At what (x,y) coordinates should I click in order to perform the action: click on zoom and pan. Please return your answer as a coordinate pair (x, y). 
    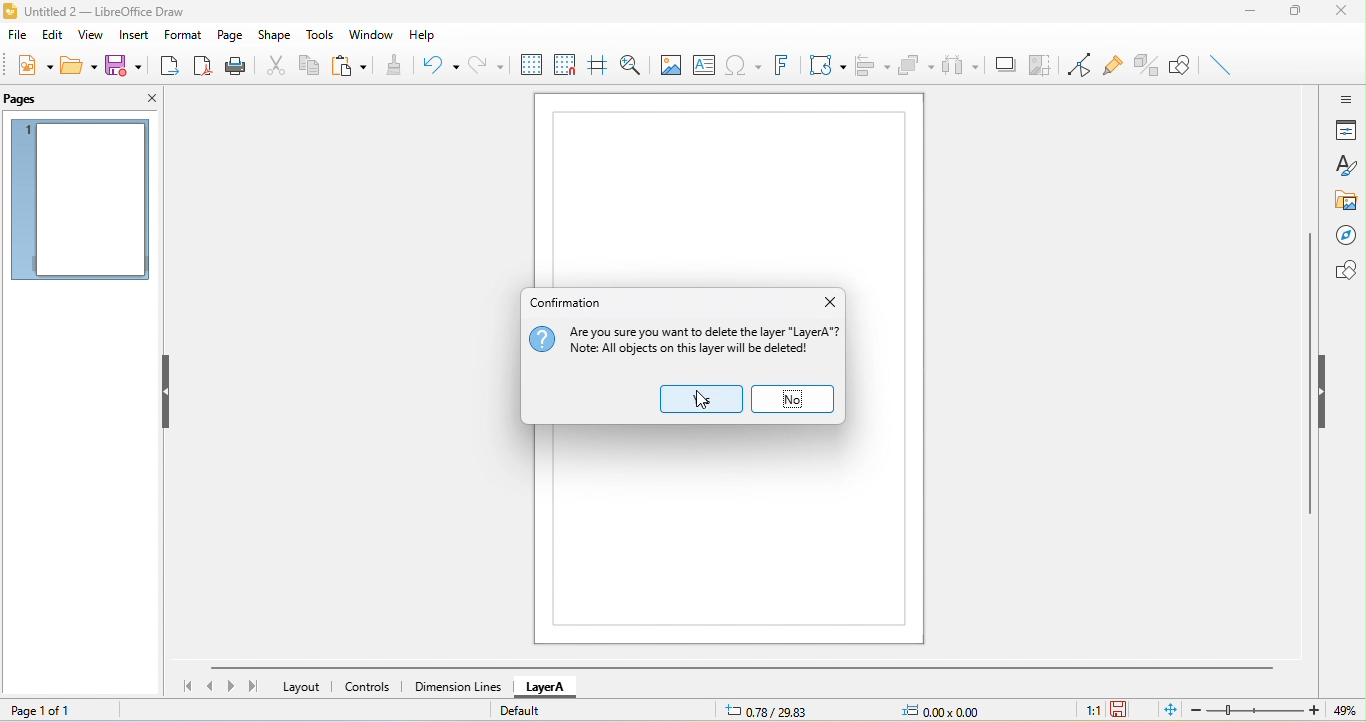
    Looking at the image, I should click on (634, 68).